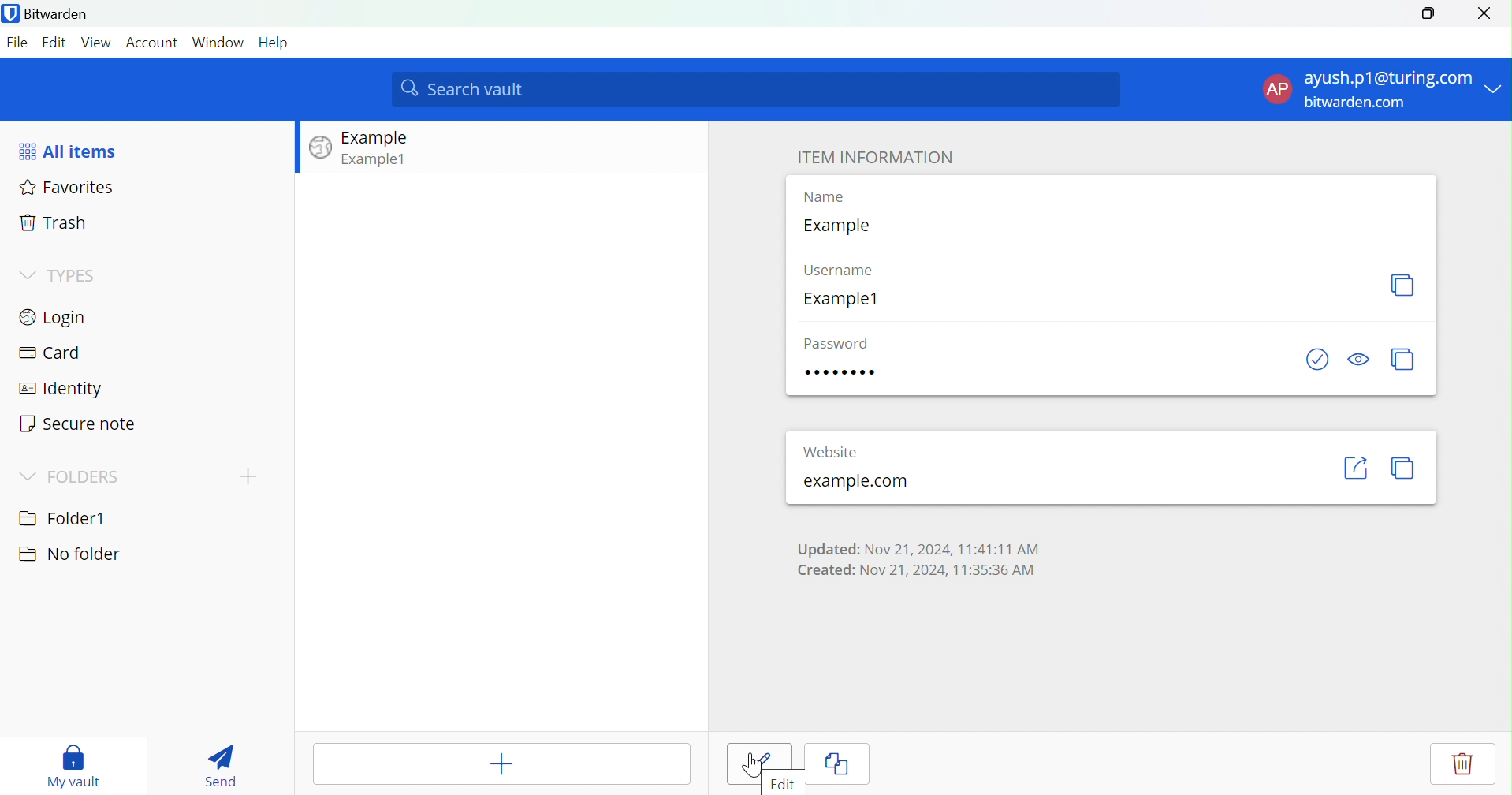  What do you see at coordinates (836, 226) in the screenshot?
I see `Example` at bounding box center [836, 226].